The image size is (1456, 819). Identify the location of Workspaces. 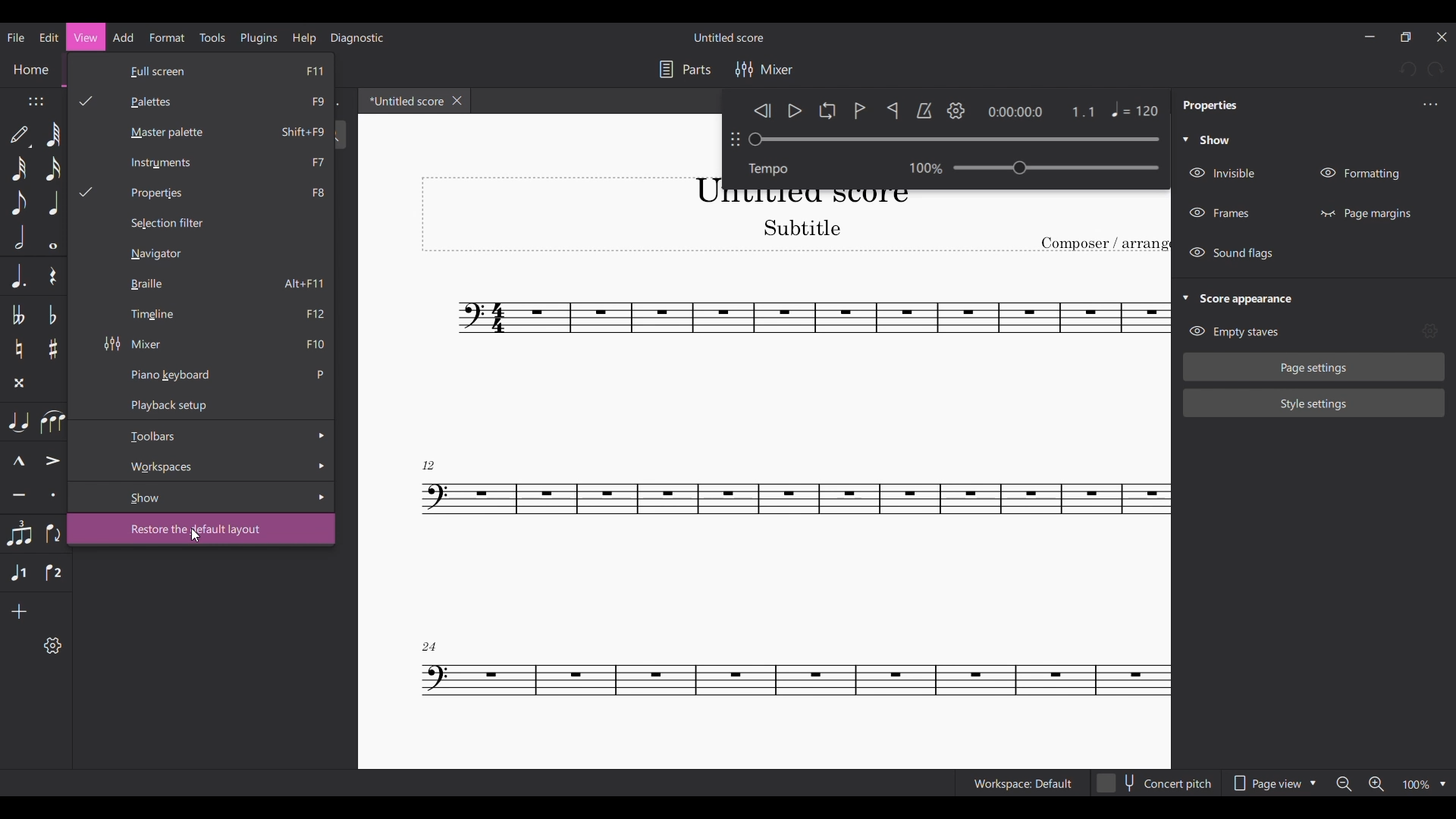
(217, 465).